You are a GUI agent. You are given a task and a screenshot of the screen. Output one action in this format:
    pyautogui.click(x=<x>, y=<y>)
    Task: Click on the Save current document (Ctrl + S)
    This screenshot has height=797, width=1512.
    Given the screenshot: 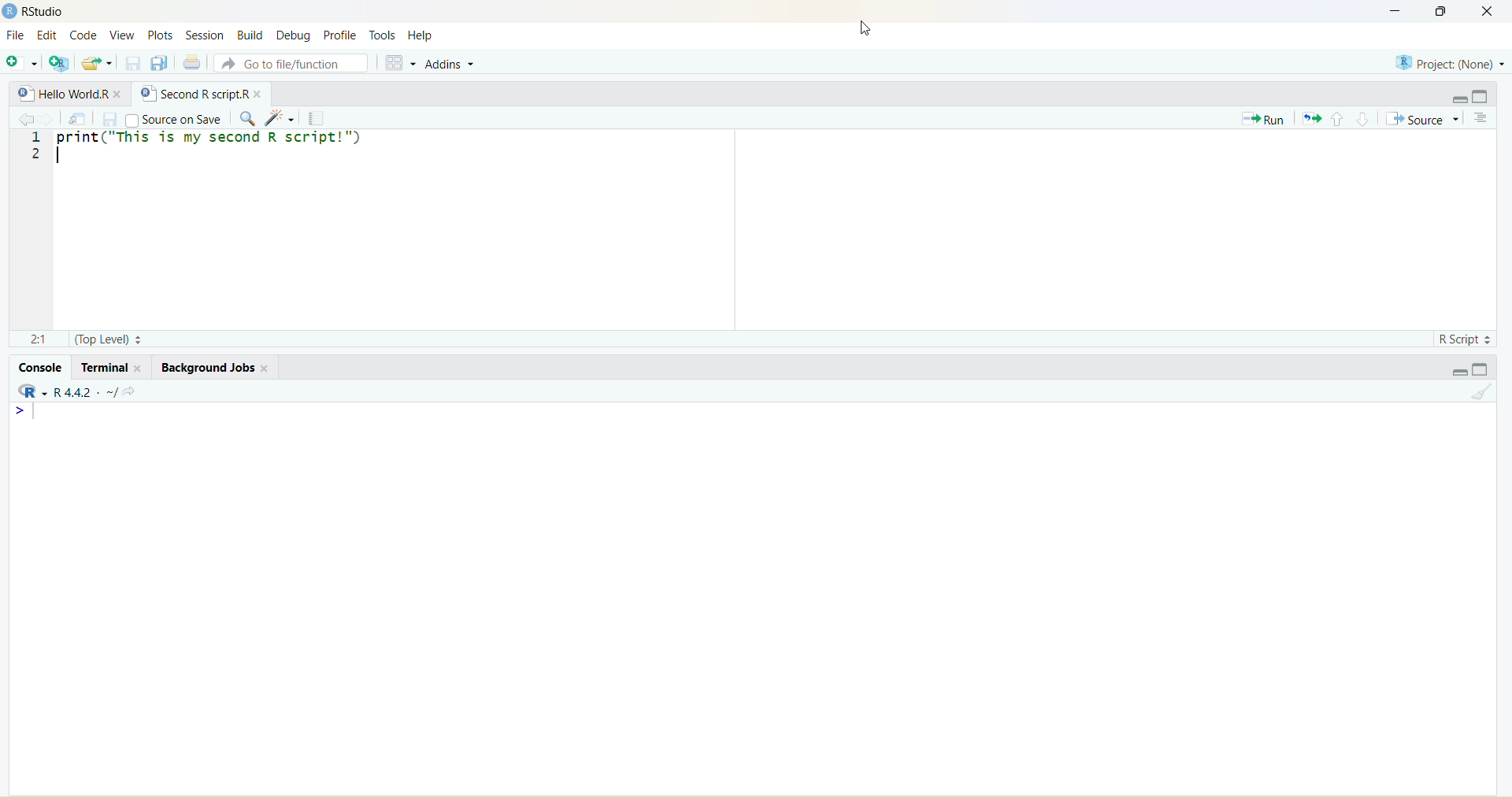 What is the action you would take?
    pyautogui.click(x=110, y=119)
    